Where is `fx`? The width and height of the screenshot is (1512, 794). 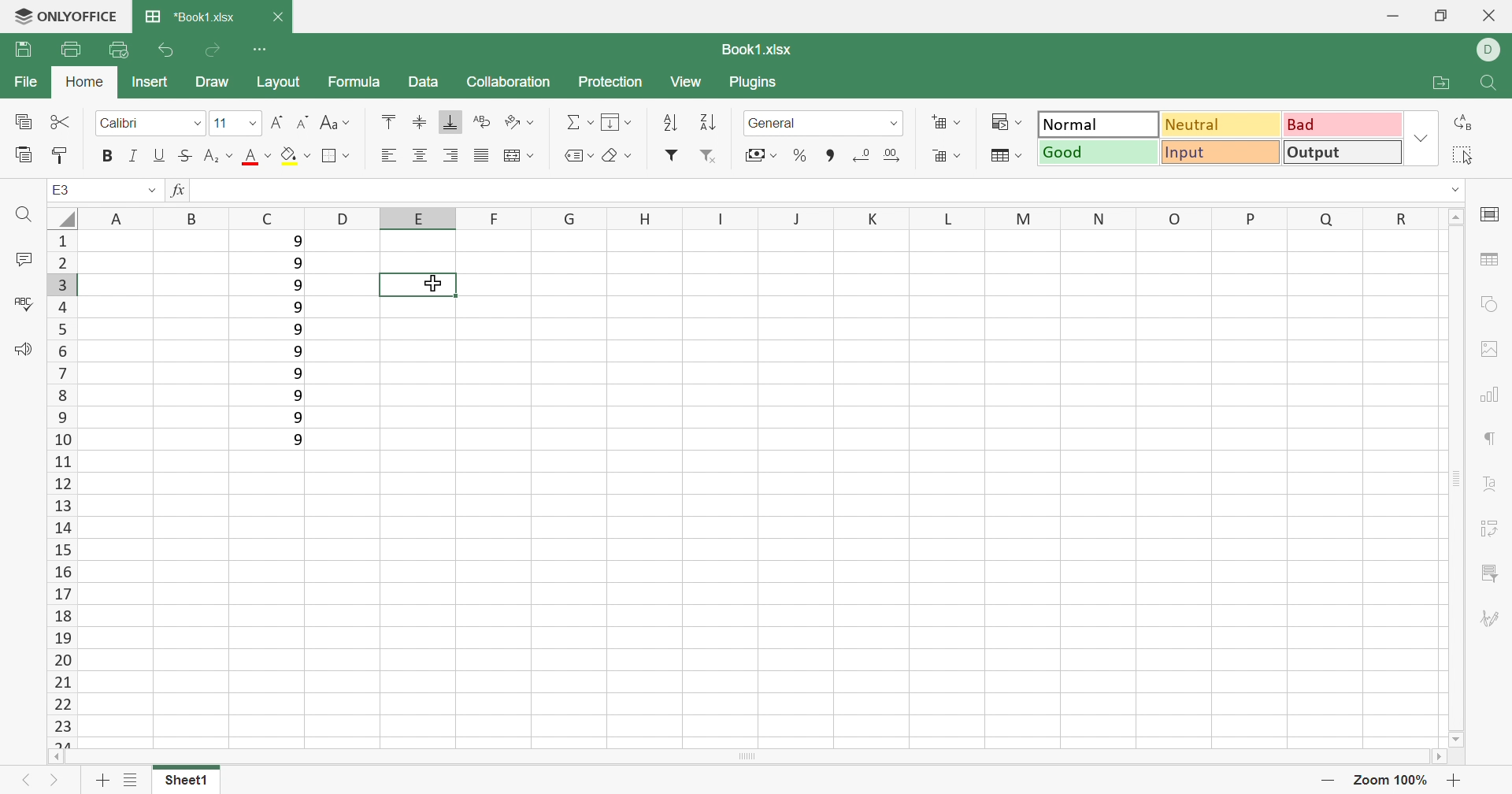
fx is located at coordinates (182, 189).